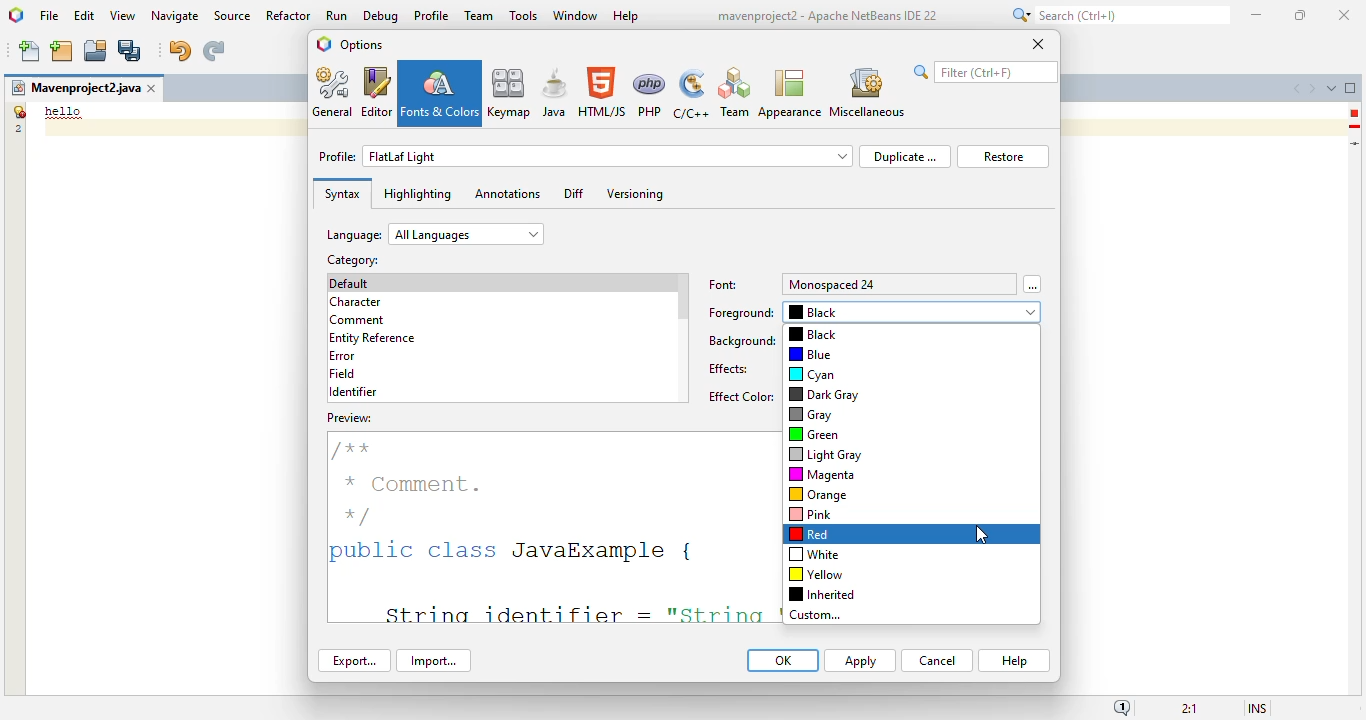 Image resolution: width=1366 pixels, height=720 pixels. Describe the element at coordinates (825, 394) in the screenshot. I see `dark gray` at that location.